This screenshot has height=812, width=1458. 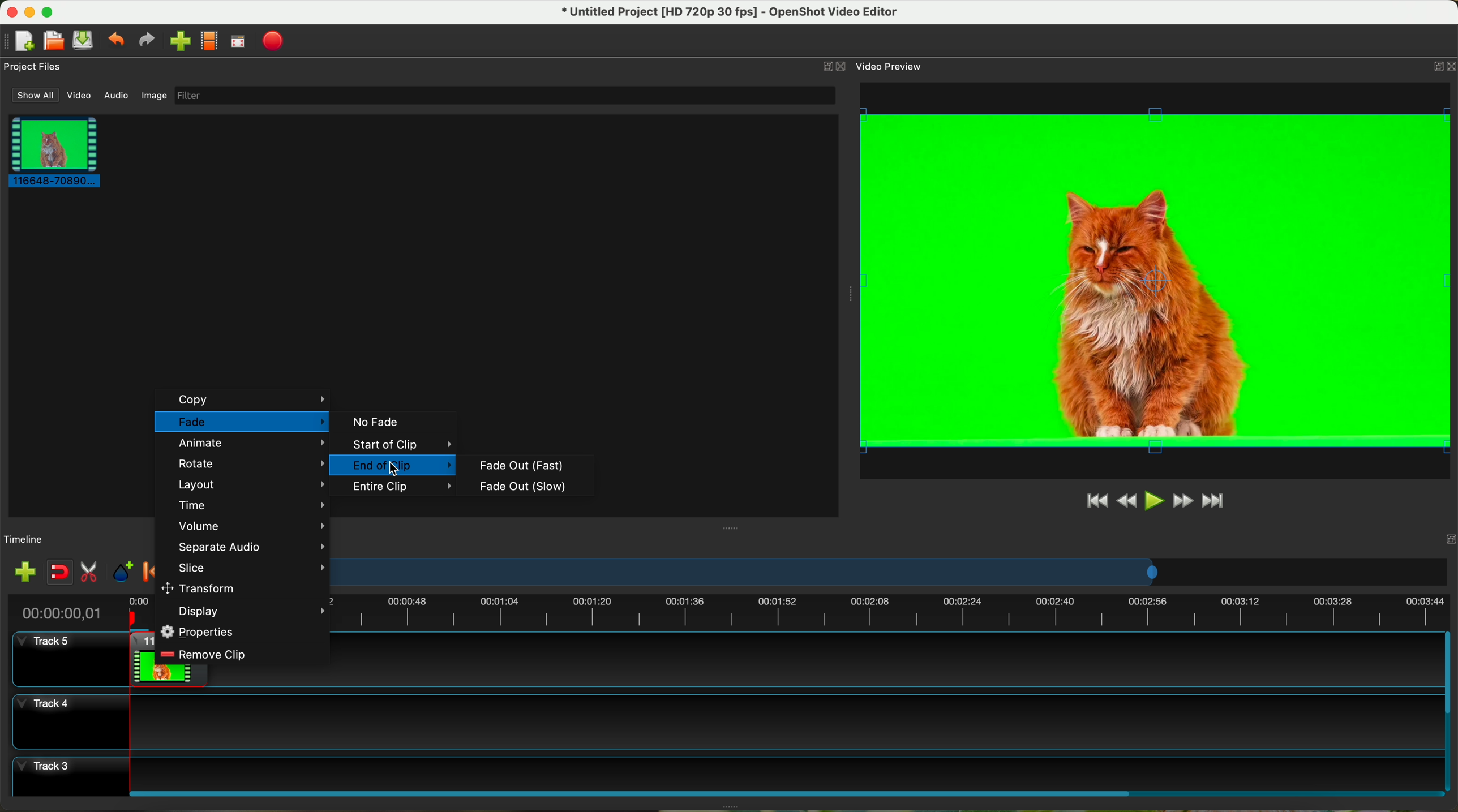 What do you see at coordinates (200, 631) in the screenshot?
I see `properties` at bounding box center [200, 631].